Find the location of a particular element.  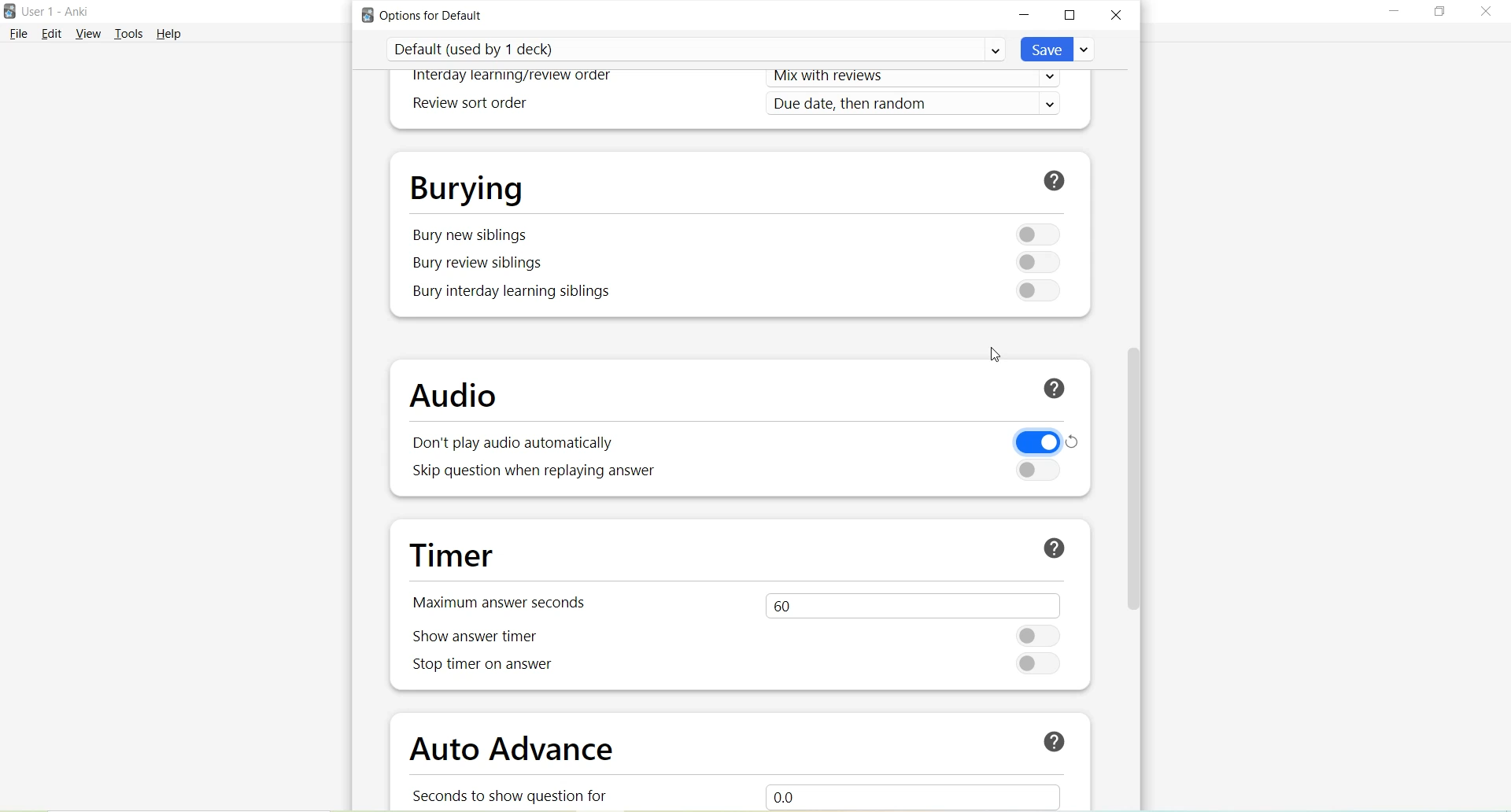

Mix with reviews is located at coordinates (919, 79).